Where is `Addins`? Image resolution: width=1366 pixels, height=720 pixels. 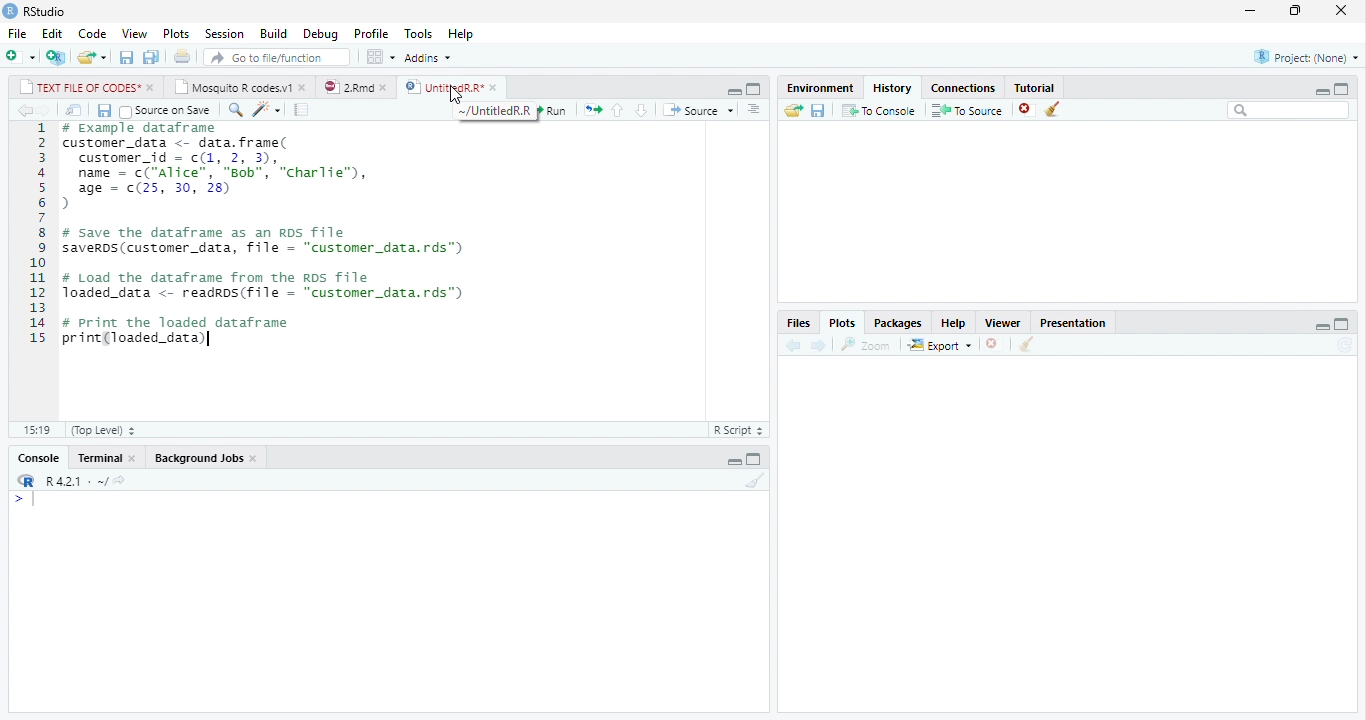 Addins is located at coordinates (428, 58).